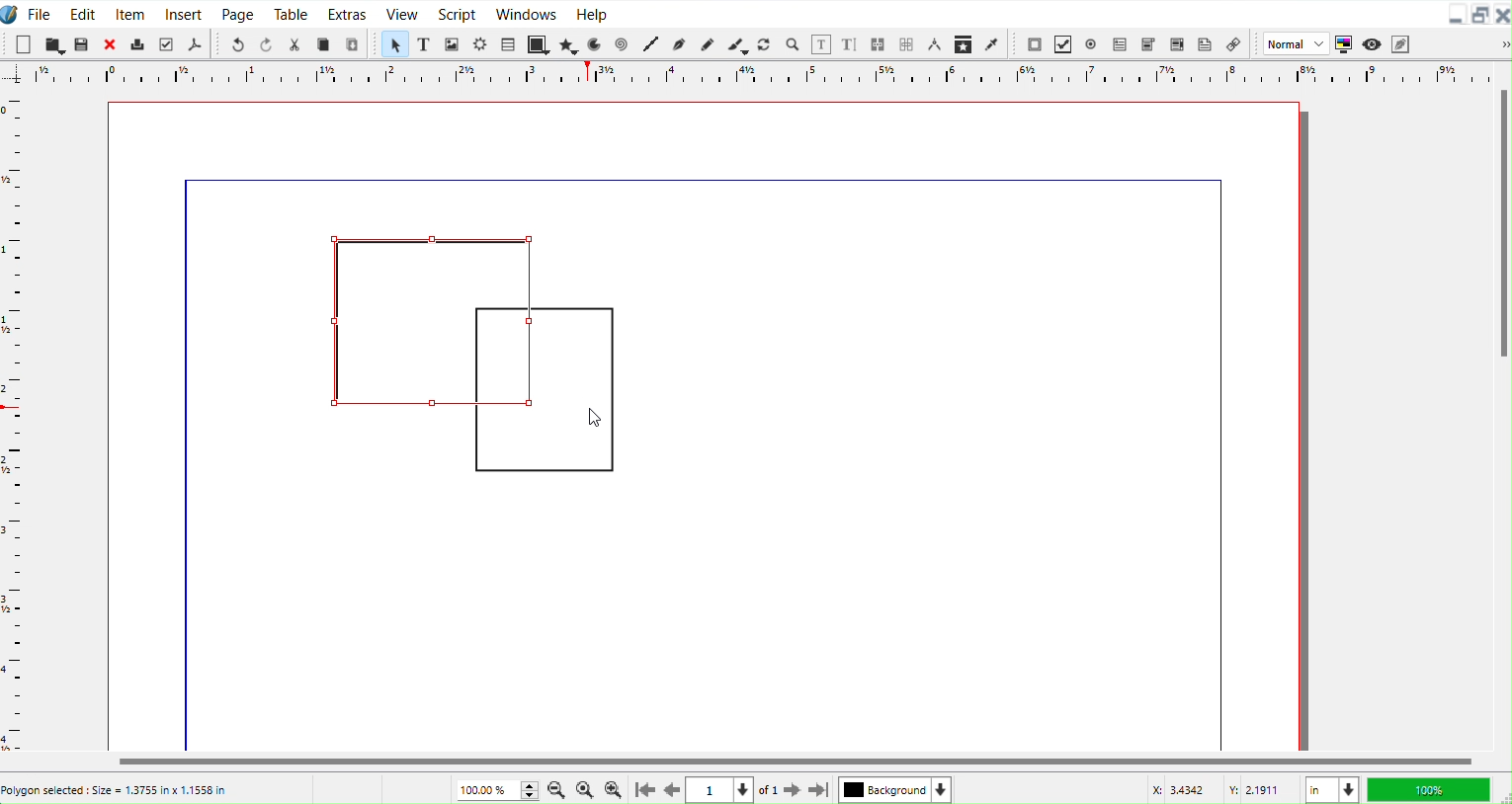 The width and height of the screenshot is (1512, 804). What do you see at coordinates (1120, 43) in the screenshot?
I see `PDF Text Field` at bounding box center [1120, 43].